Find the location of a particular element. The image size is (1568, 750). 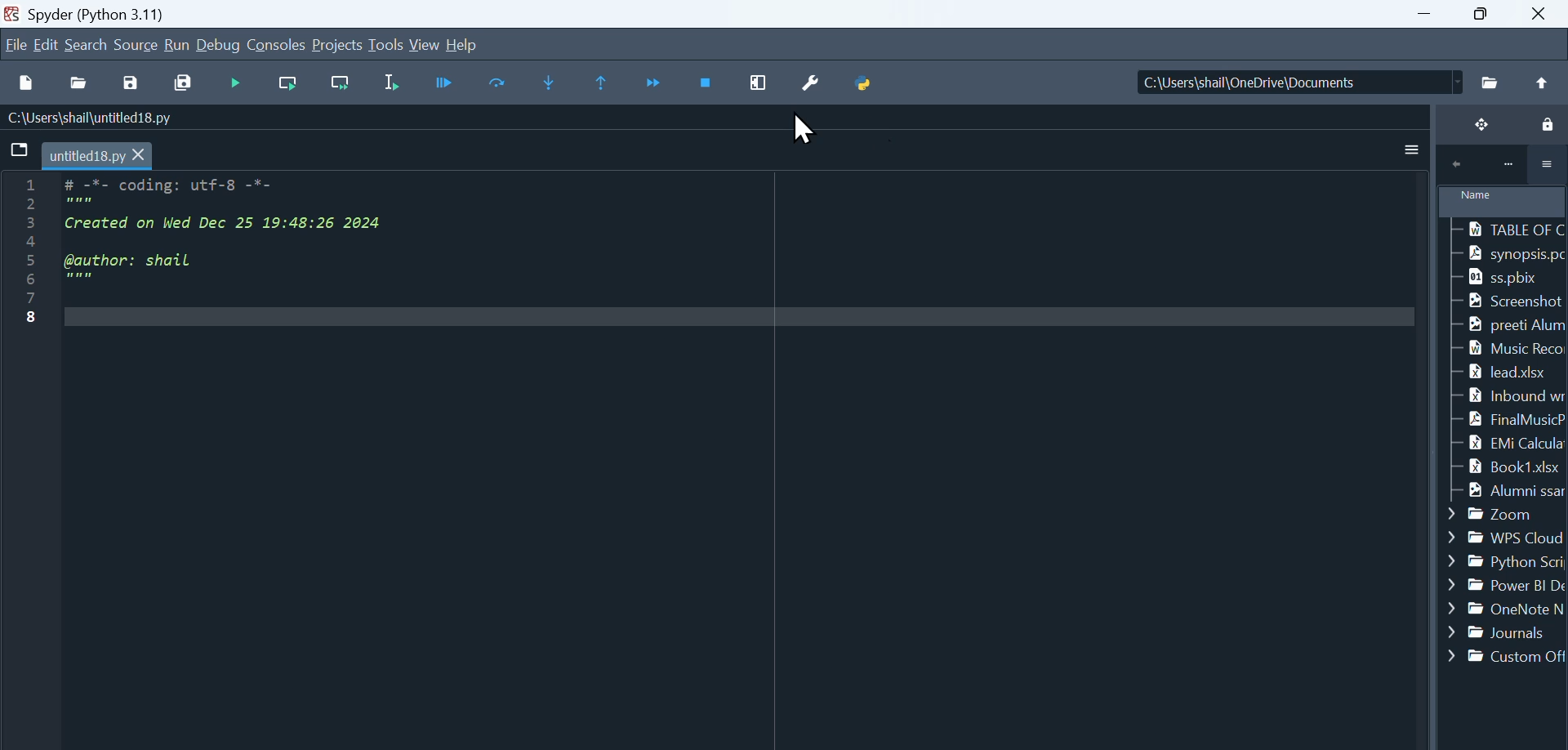

Step into the next function is located at coordinates (552, 83).